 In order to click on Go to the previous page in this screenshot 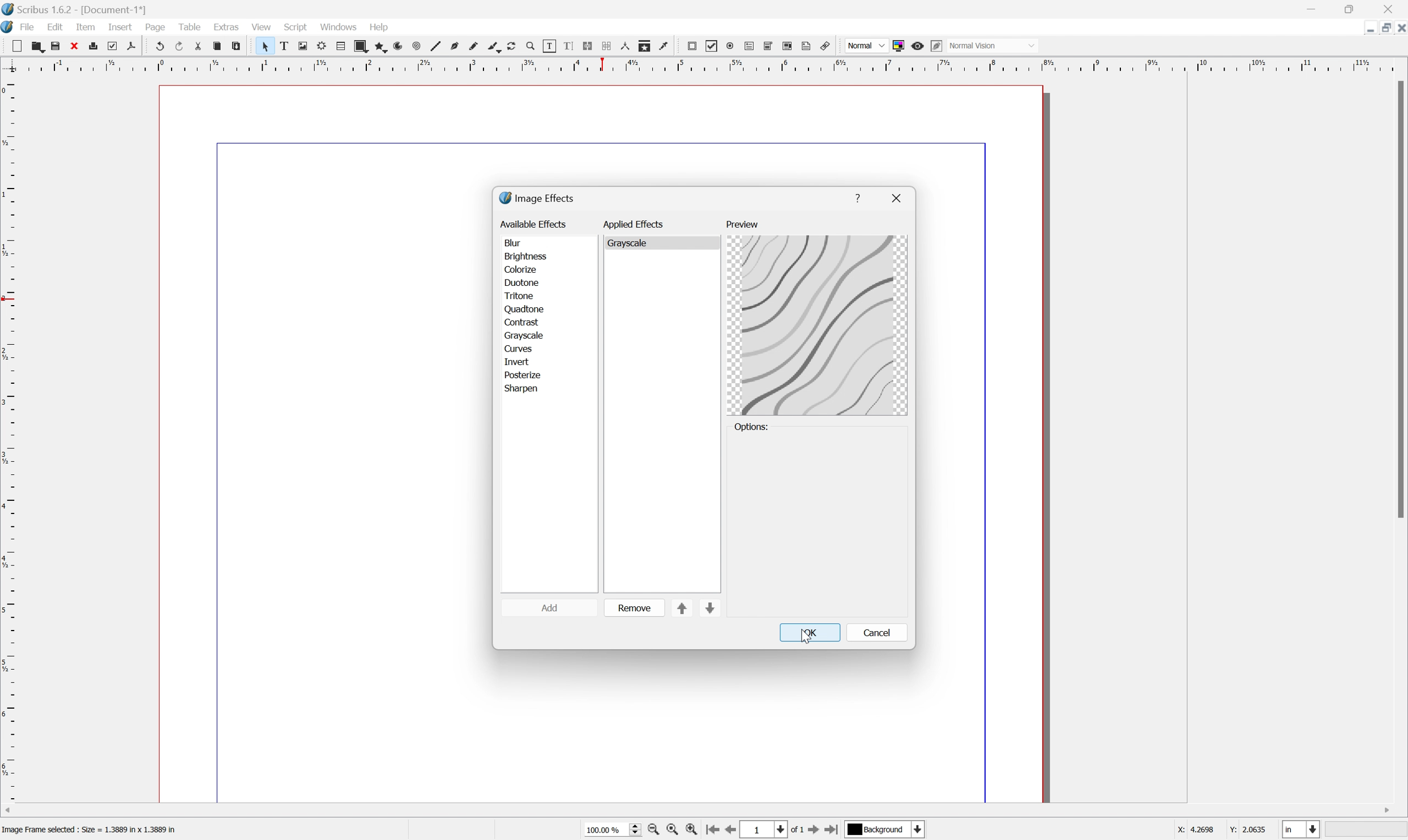, I will do `click(735, 830)`.